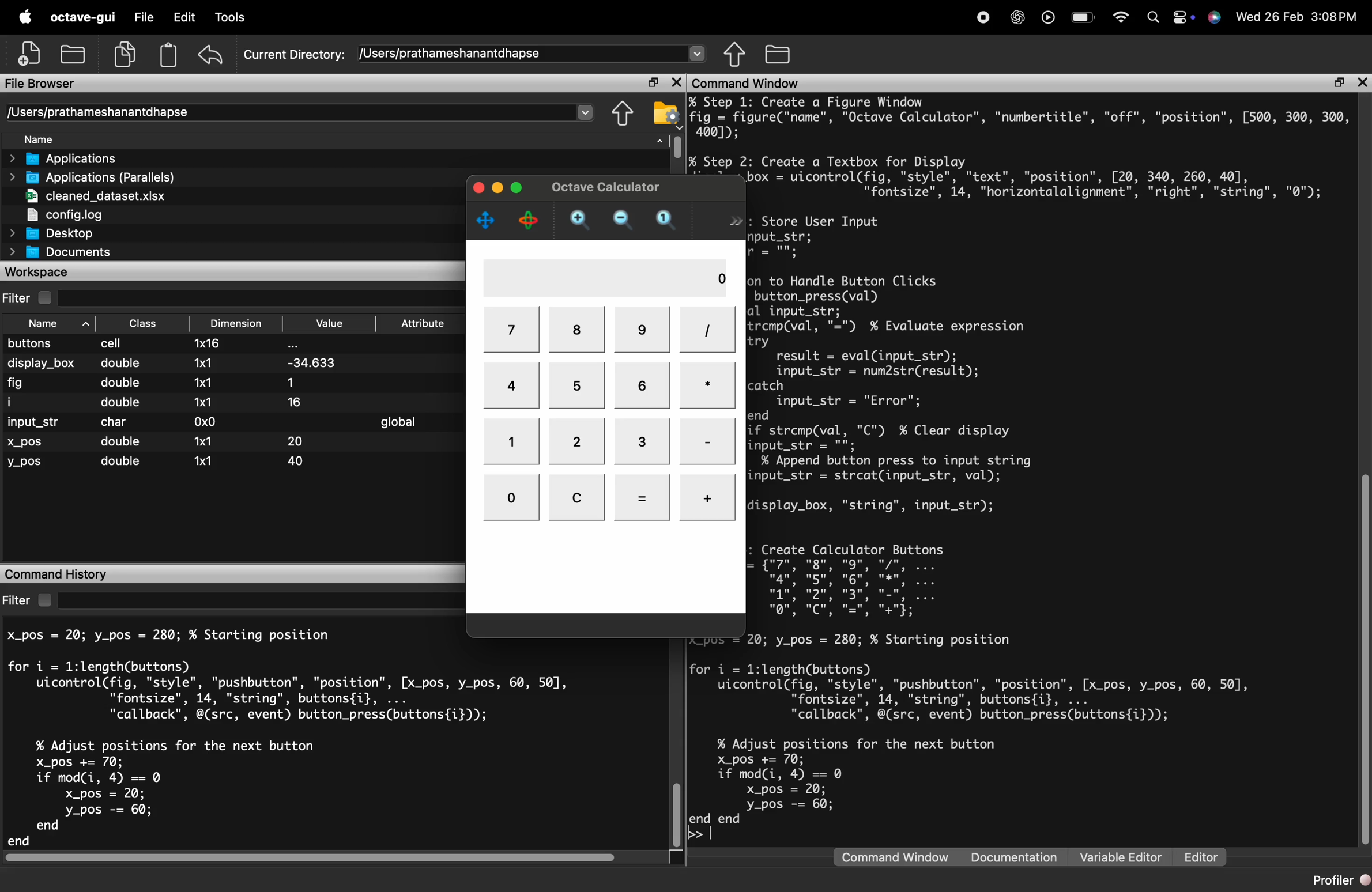  What do you see at coordinates (296, 402) in the screenshot?
I see `16` at bounding box center [296, 402].